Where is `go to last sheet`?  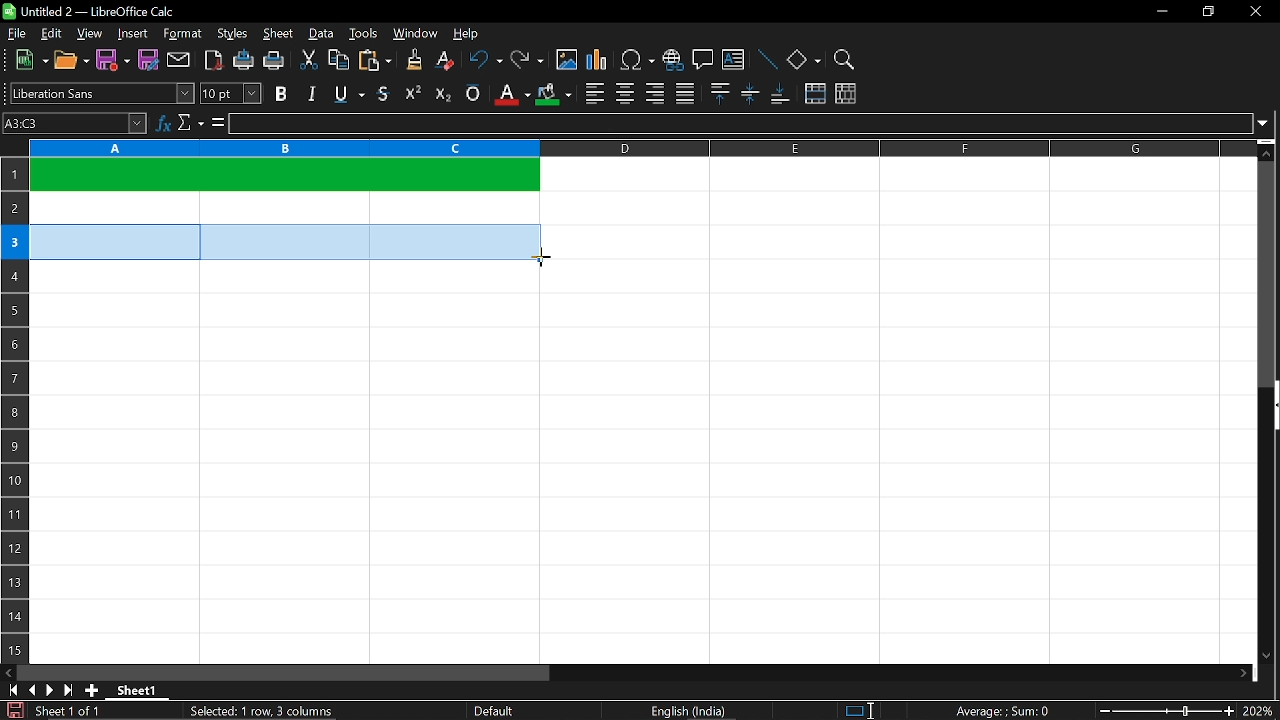
go to last sheet is located at coordinates (66, 691).